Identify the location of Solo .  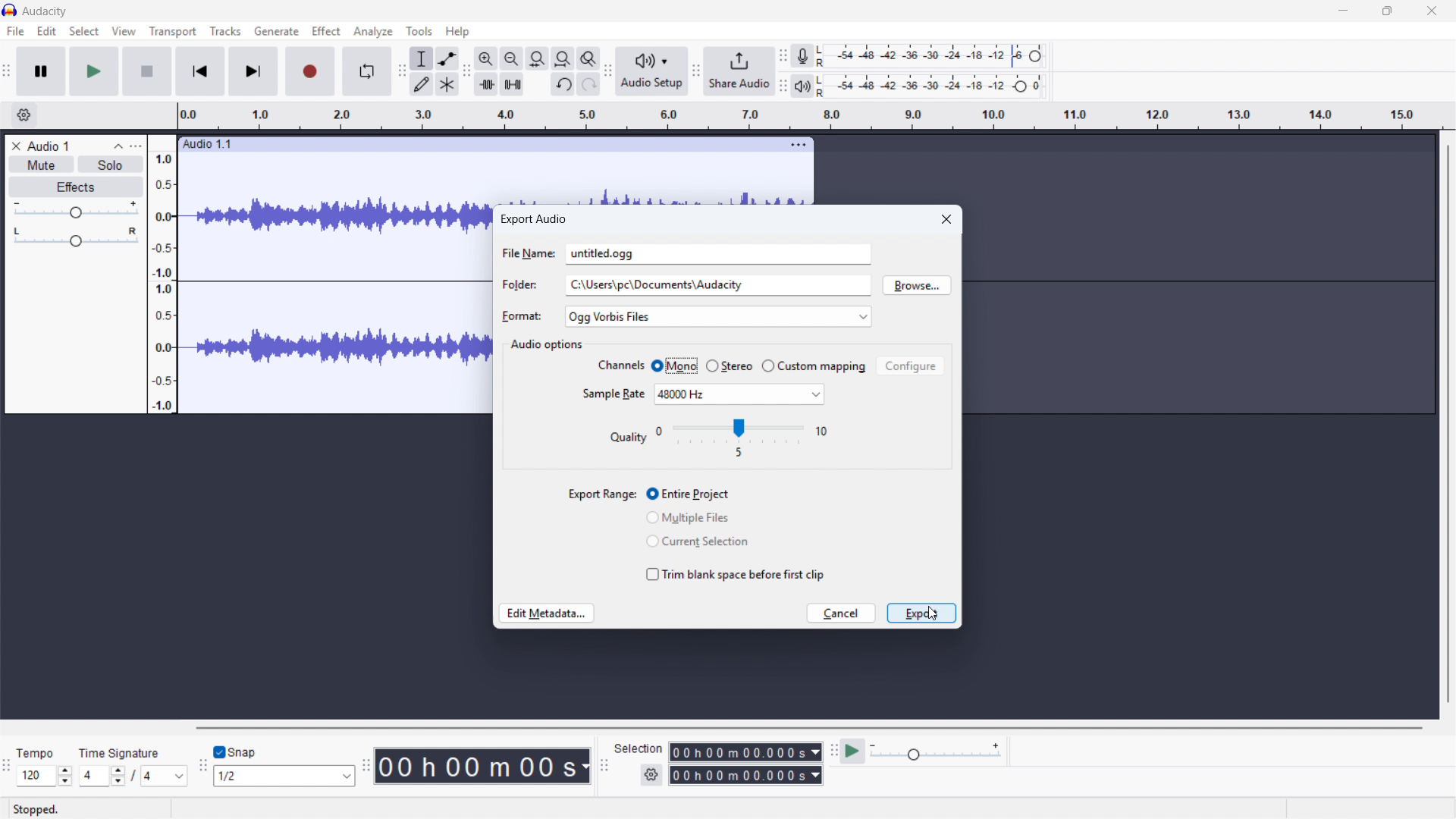
(109, 165).